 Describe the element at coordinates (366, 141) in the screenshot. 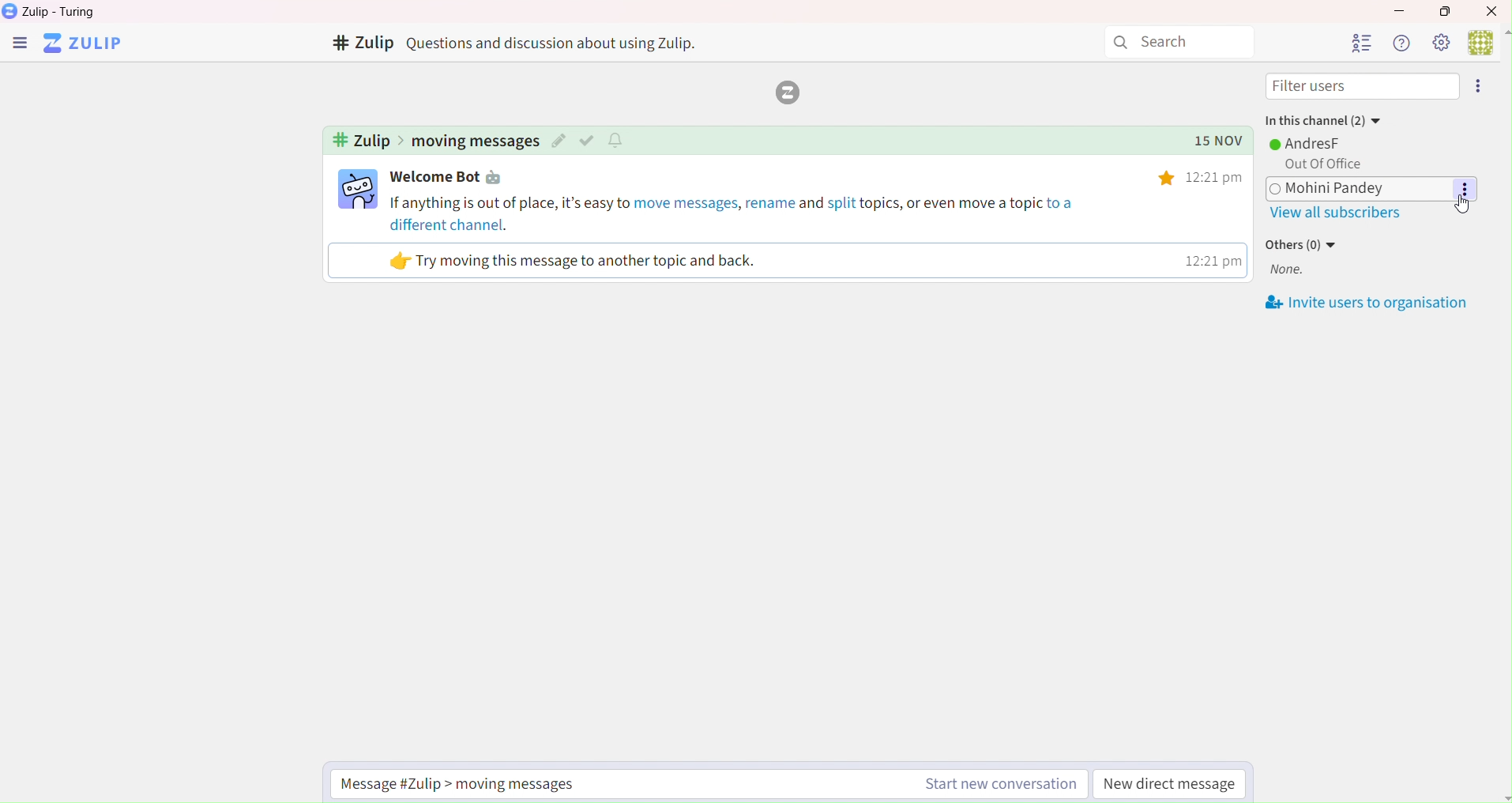

I see `# Zulip >` at that location.